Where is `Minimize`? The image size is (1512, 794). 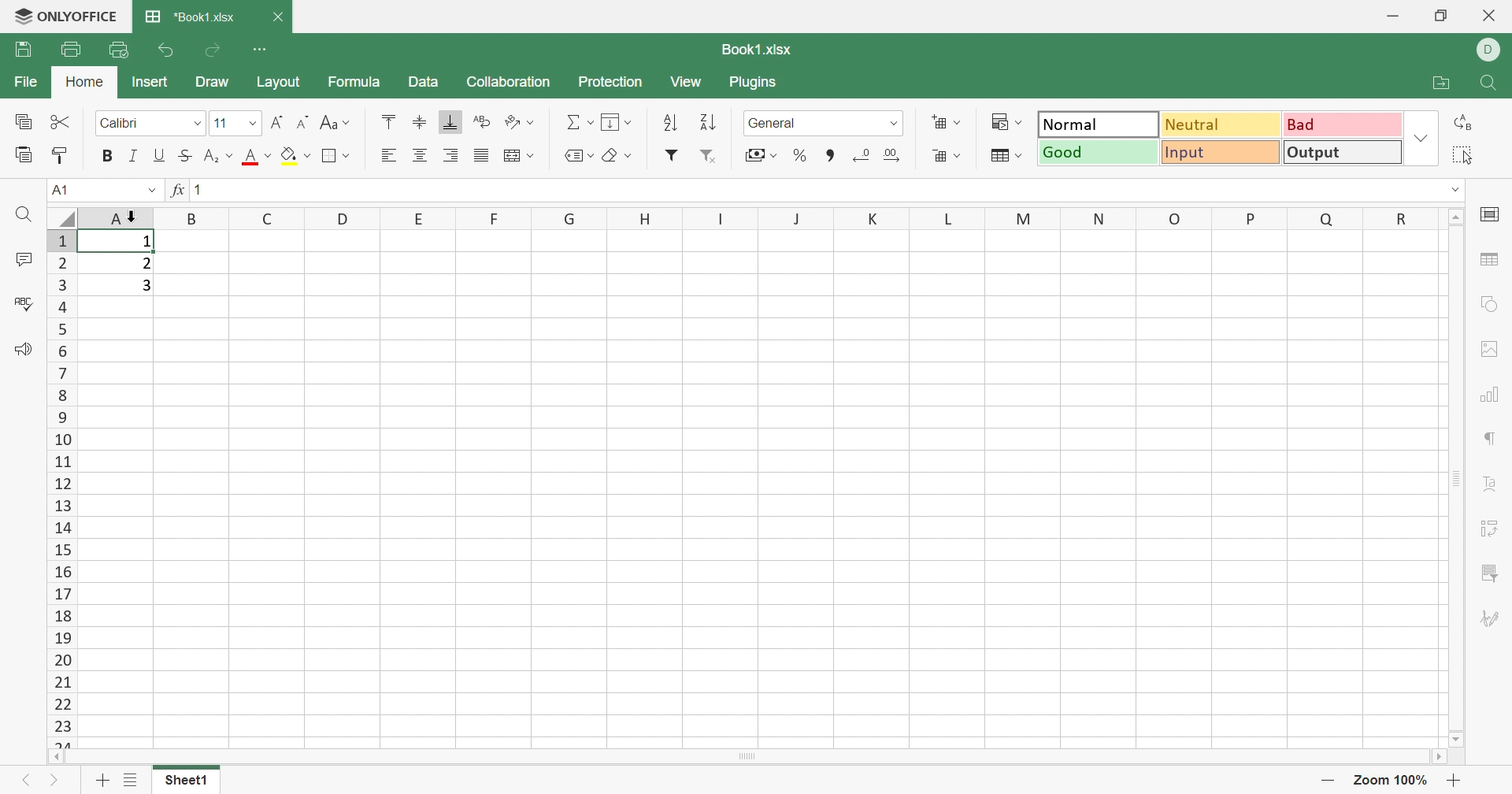 Minimize is located at coordinates (1392, 18).